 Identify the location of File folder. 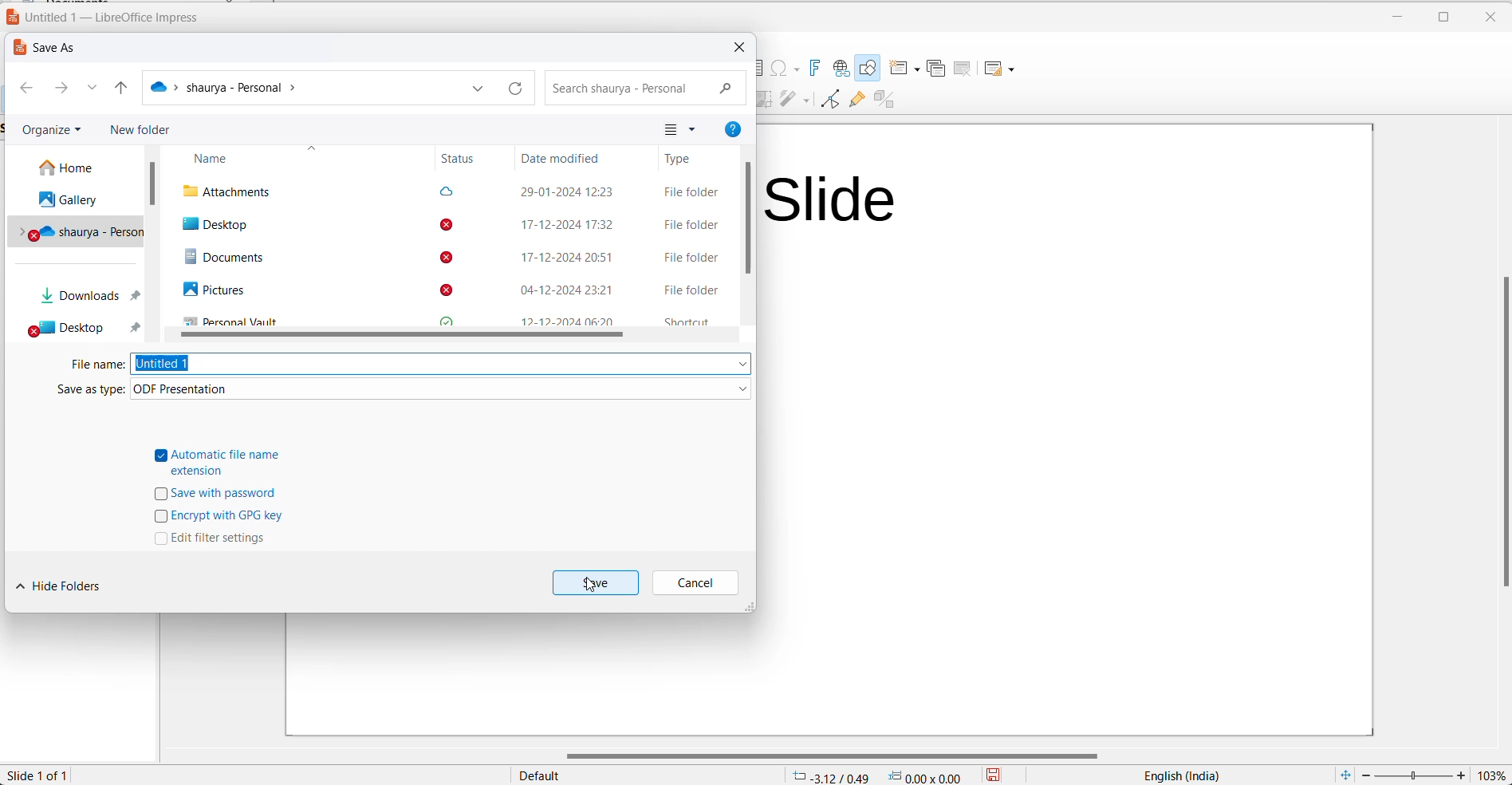
(693, 193).